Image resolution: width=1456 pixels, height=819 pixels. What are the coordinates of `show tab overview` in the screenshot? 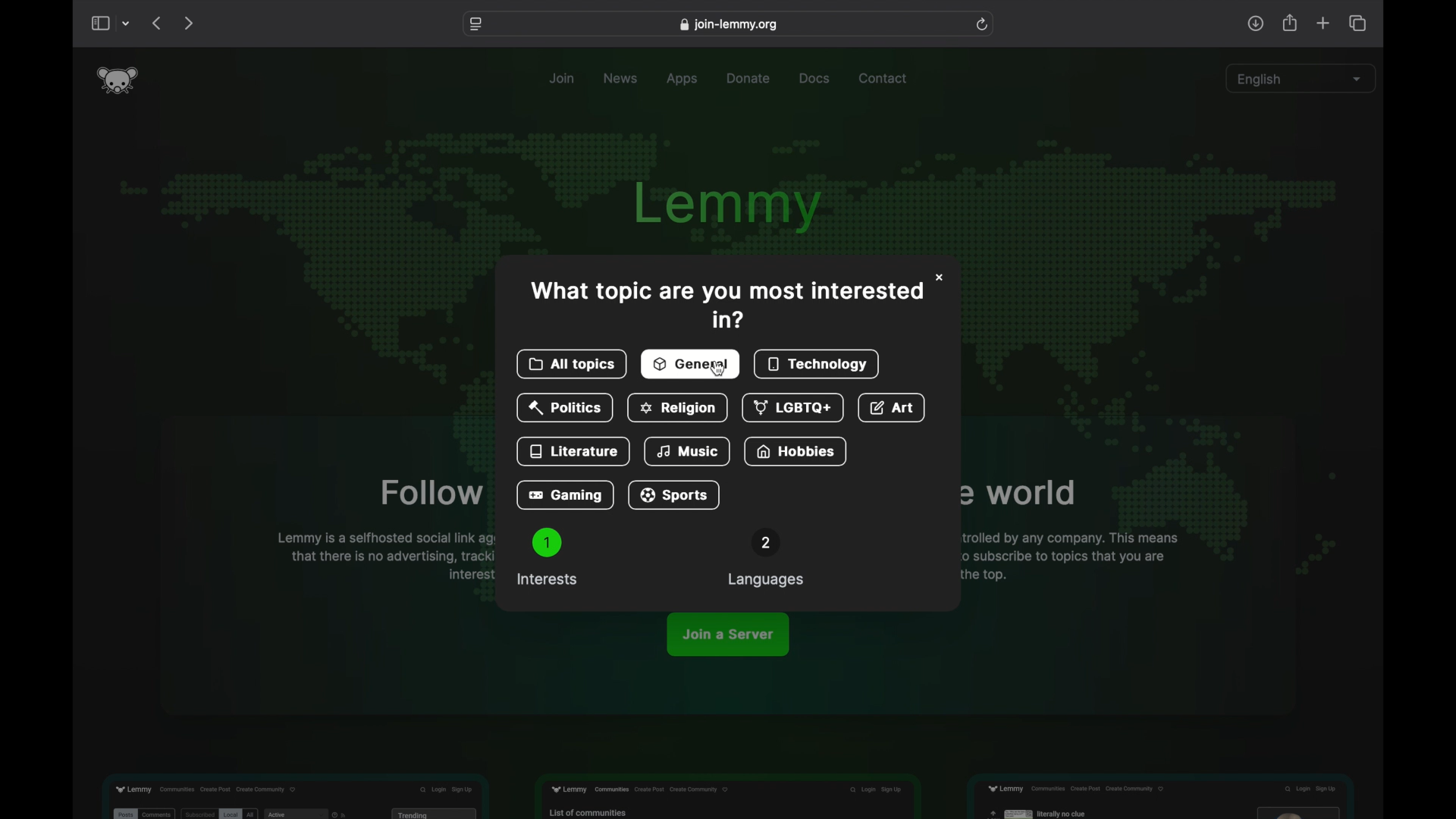 It's located at (1357, 24).